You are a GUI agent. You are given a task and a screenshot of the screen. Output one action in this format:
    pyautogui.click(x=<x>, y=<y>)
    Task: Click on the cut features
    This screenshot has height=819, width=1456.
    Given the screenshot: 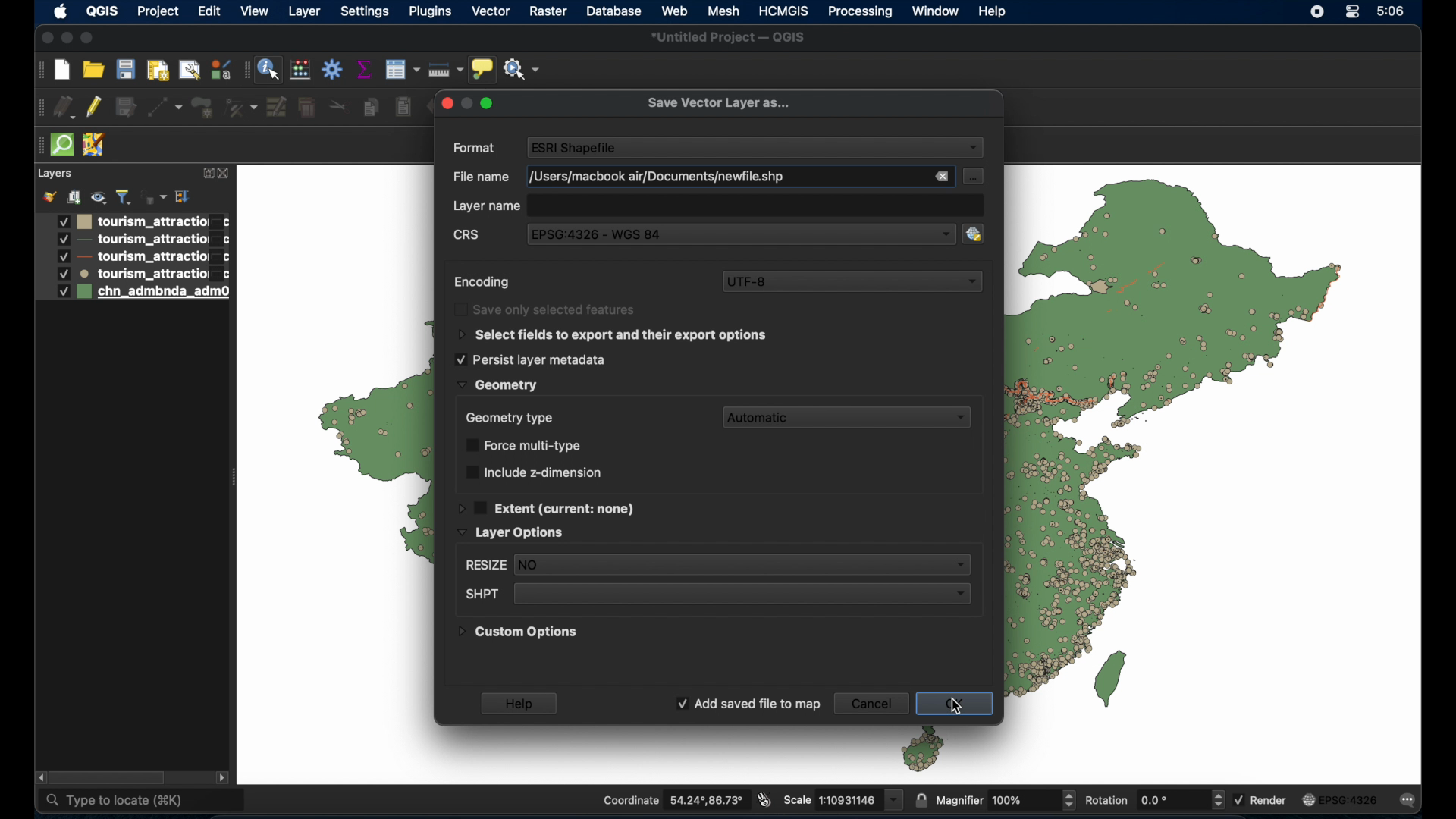 What is the action you would take?
    pyautogui.click(x=340, y=105)
    